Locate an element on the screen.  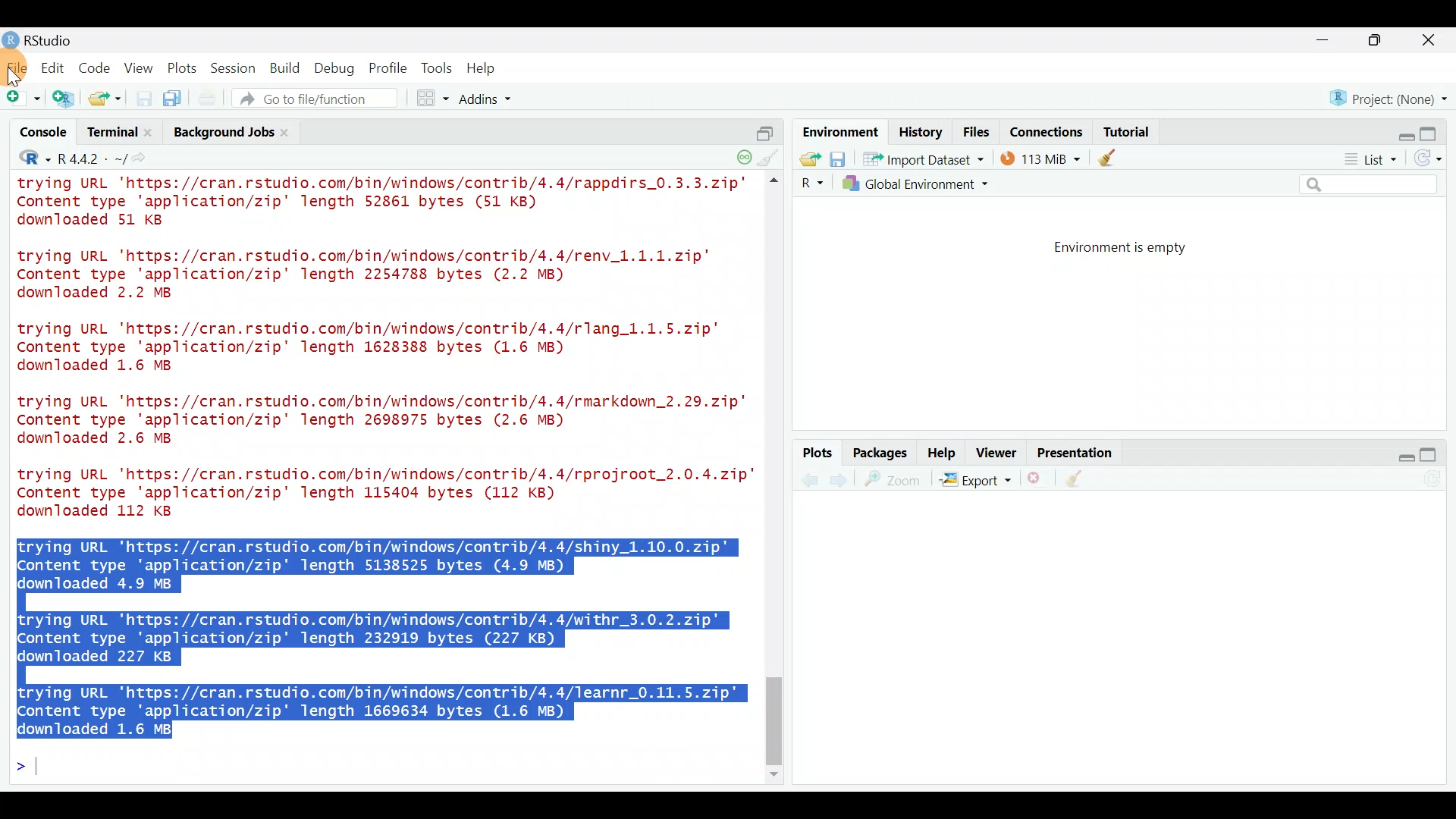
Line cursor is located at coordinates (27, 769).